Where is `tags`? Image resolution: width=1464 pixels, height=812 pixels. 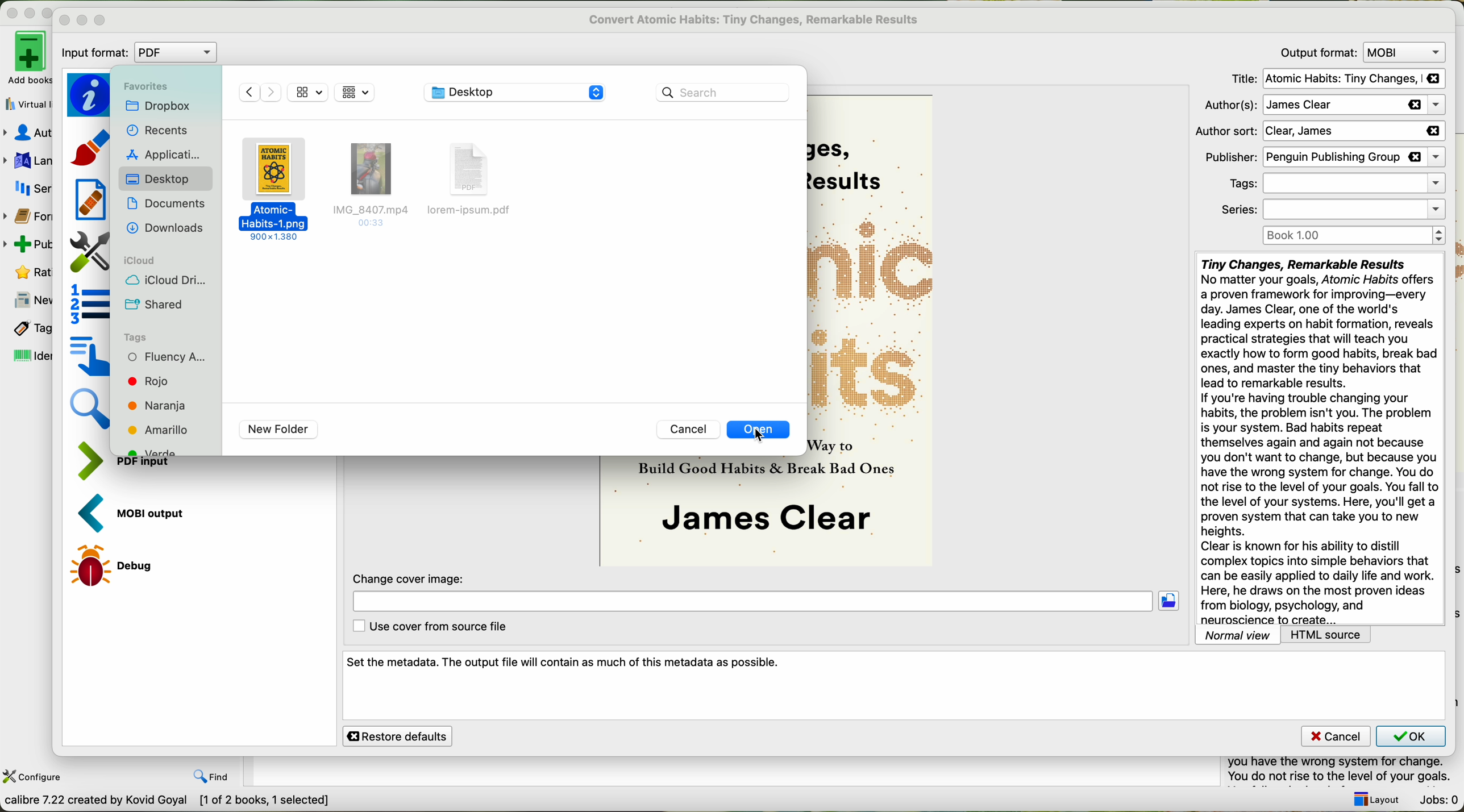
tags is located at coordinates (139, 337).